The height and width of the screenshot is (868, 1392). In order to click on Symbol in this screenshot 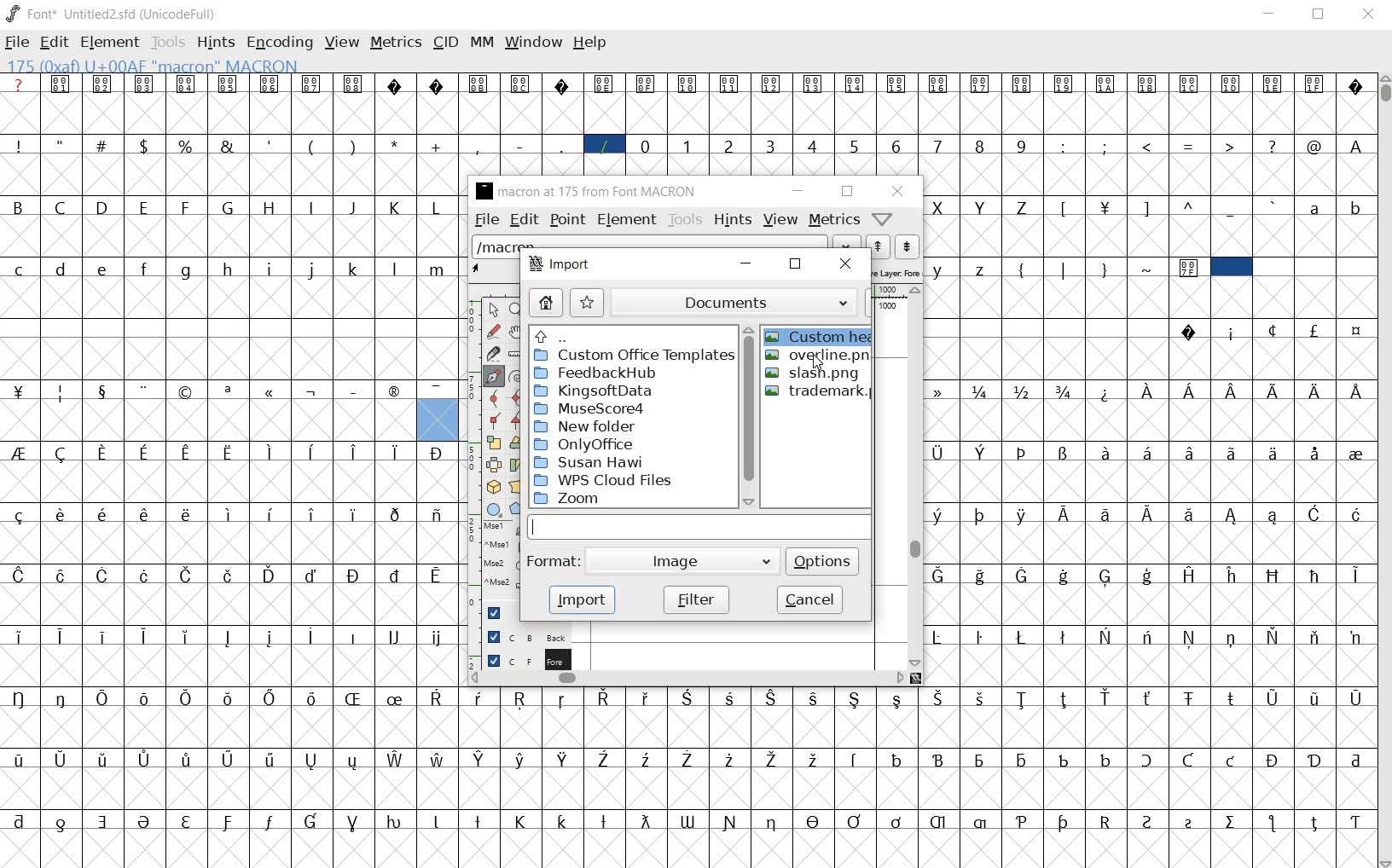, I will do `click(107, 514)`.